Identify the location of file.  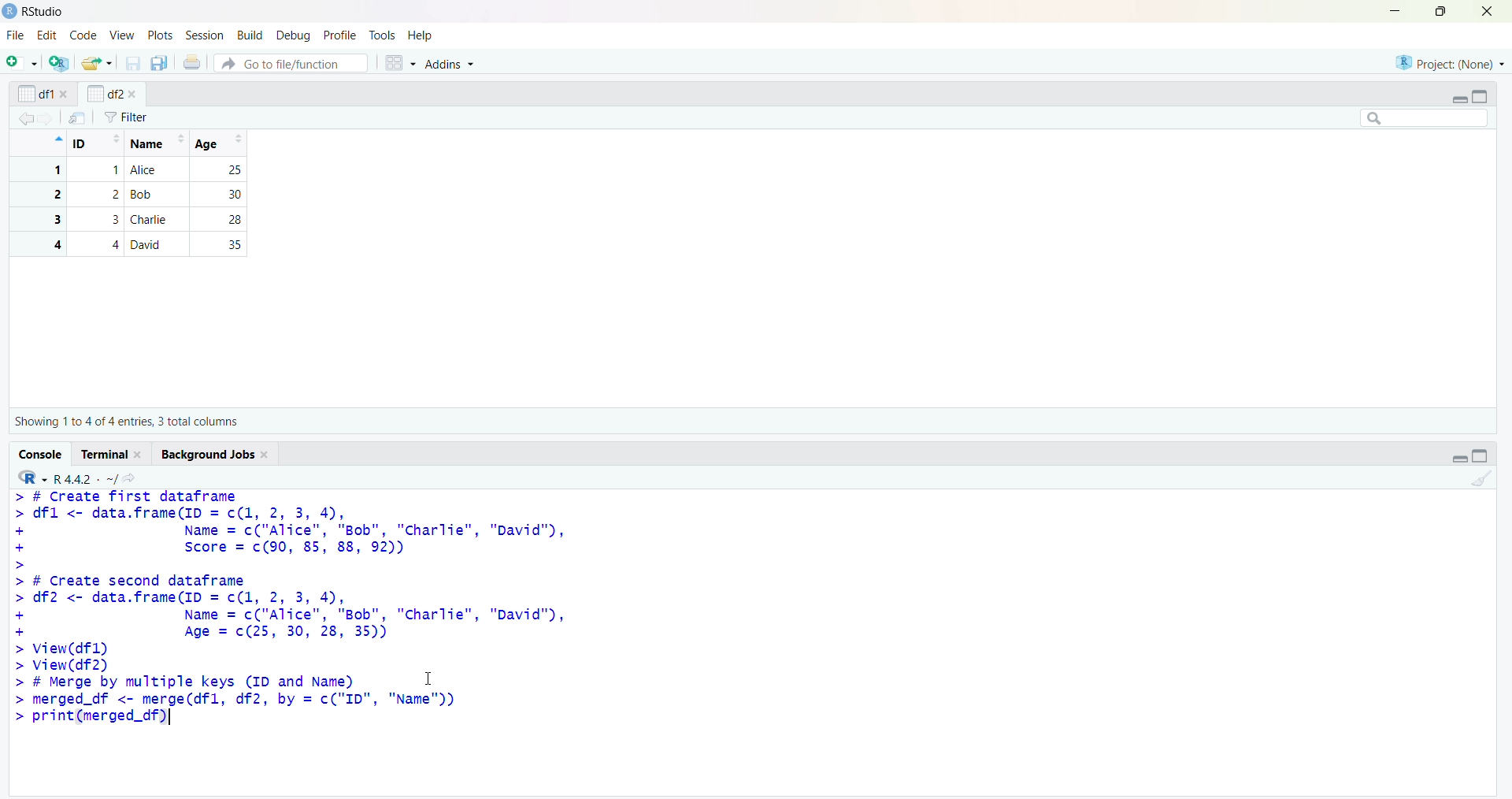
(17, 35).